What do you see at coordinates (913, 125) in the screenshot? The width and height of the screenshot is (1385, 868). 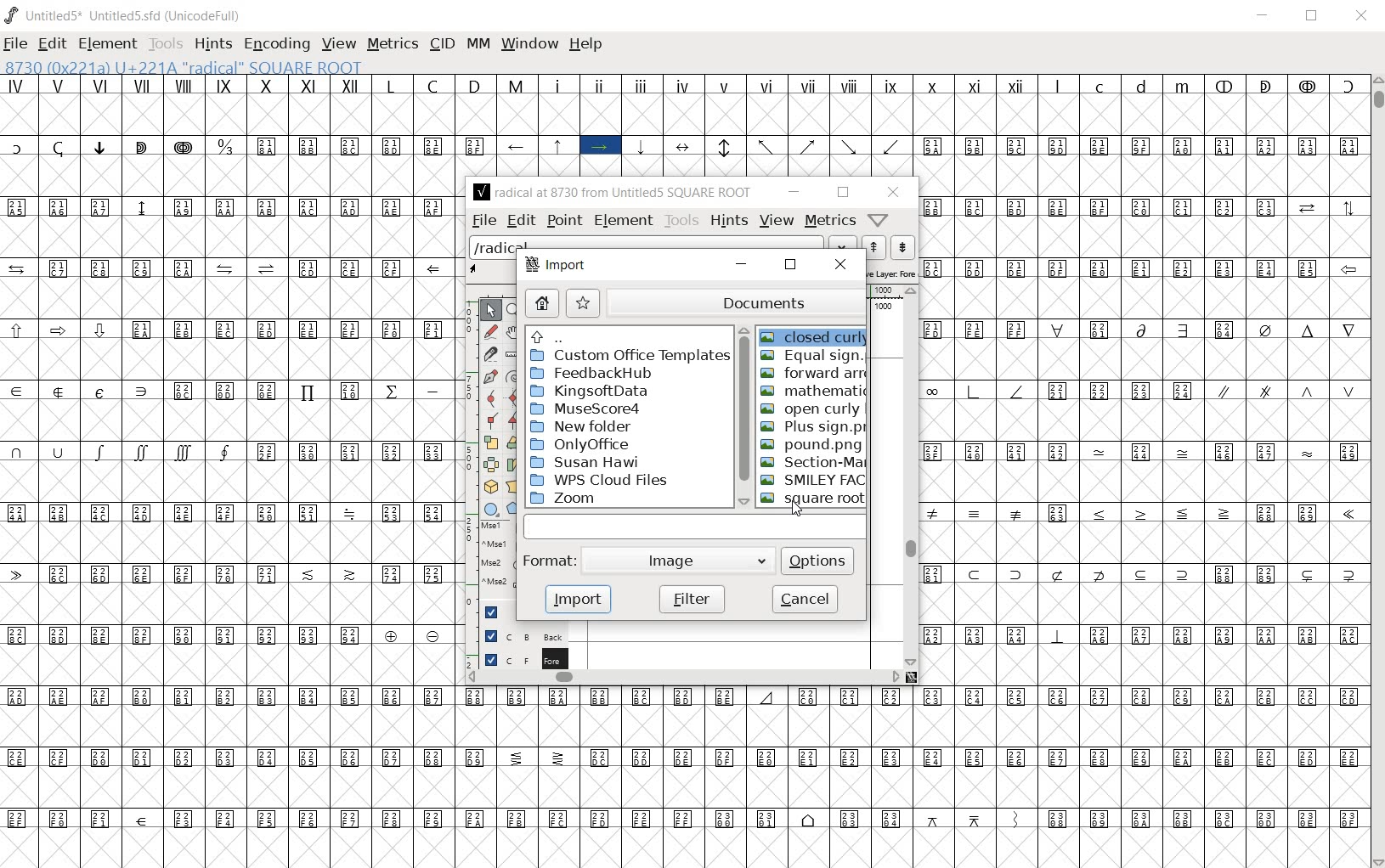 I see `Glyph characters` at bounding box center [913, 125].